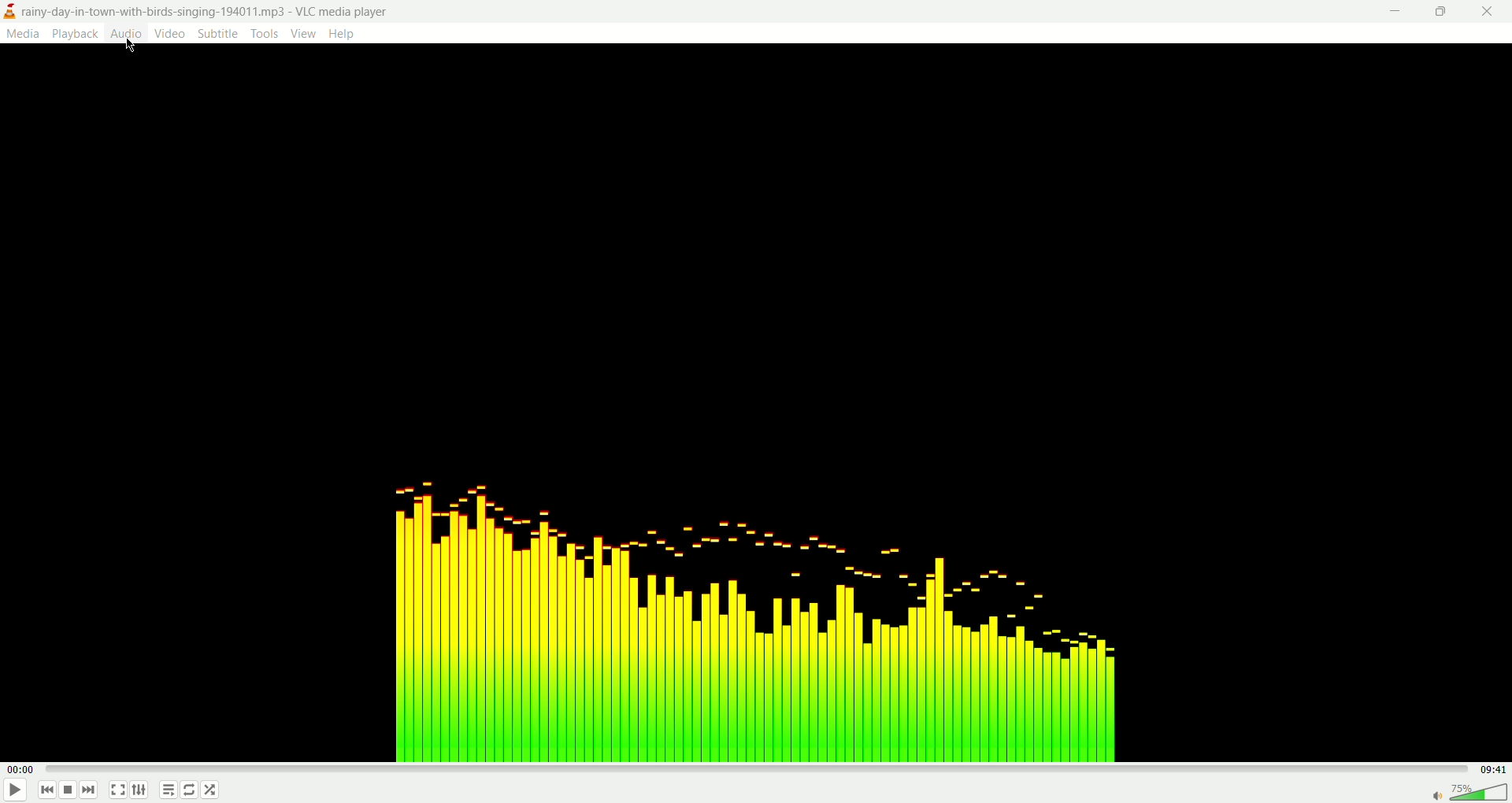 The width and height of the screenshot is (1512, 803). Describe the element at coordinates (1440, 12) in the screenshot. I see `maximize` at that location.